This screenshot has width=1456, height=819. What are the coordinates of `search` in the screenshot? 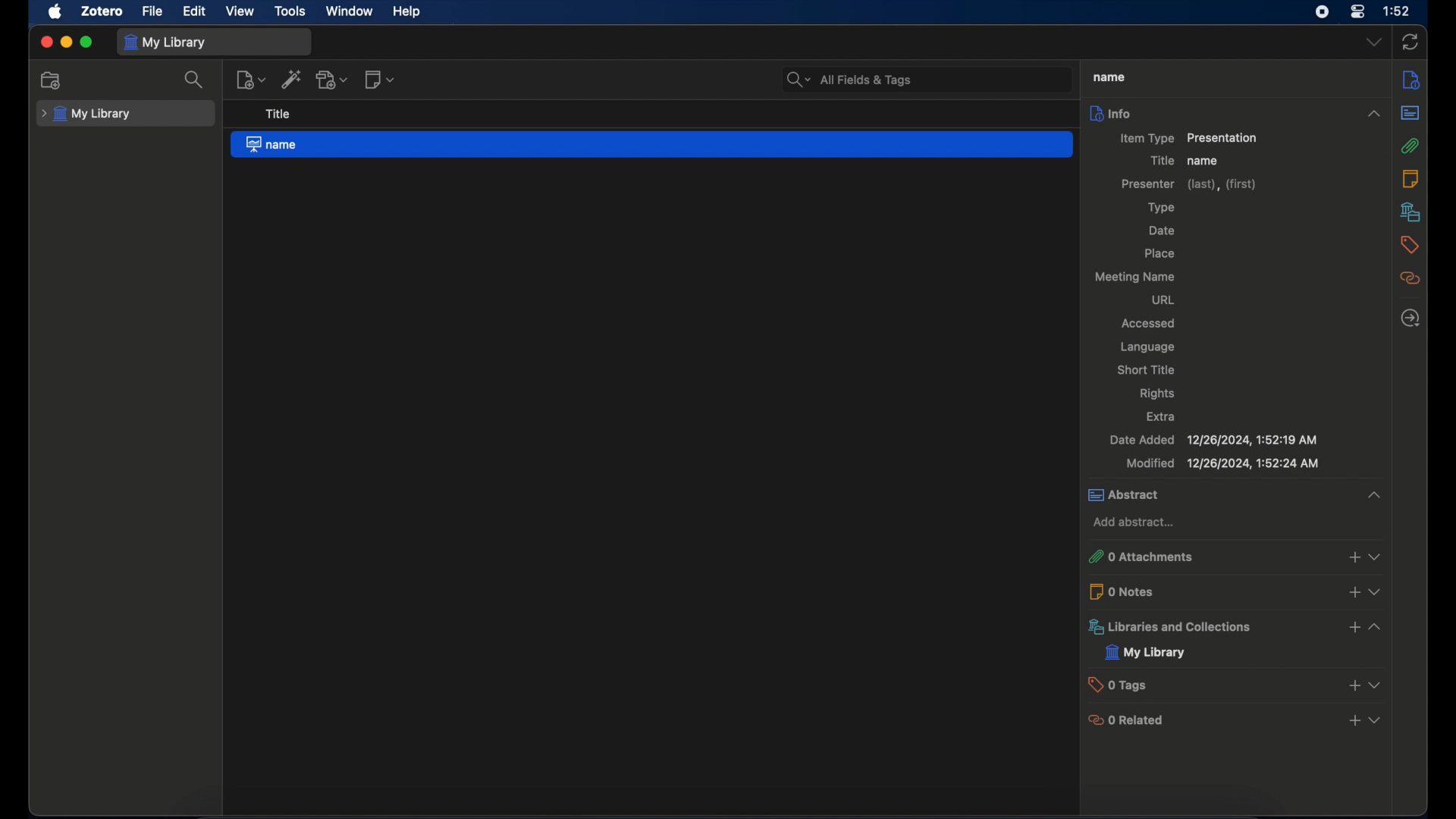 It's located at (196, 80).